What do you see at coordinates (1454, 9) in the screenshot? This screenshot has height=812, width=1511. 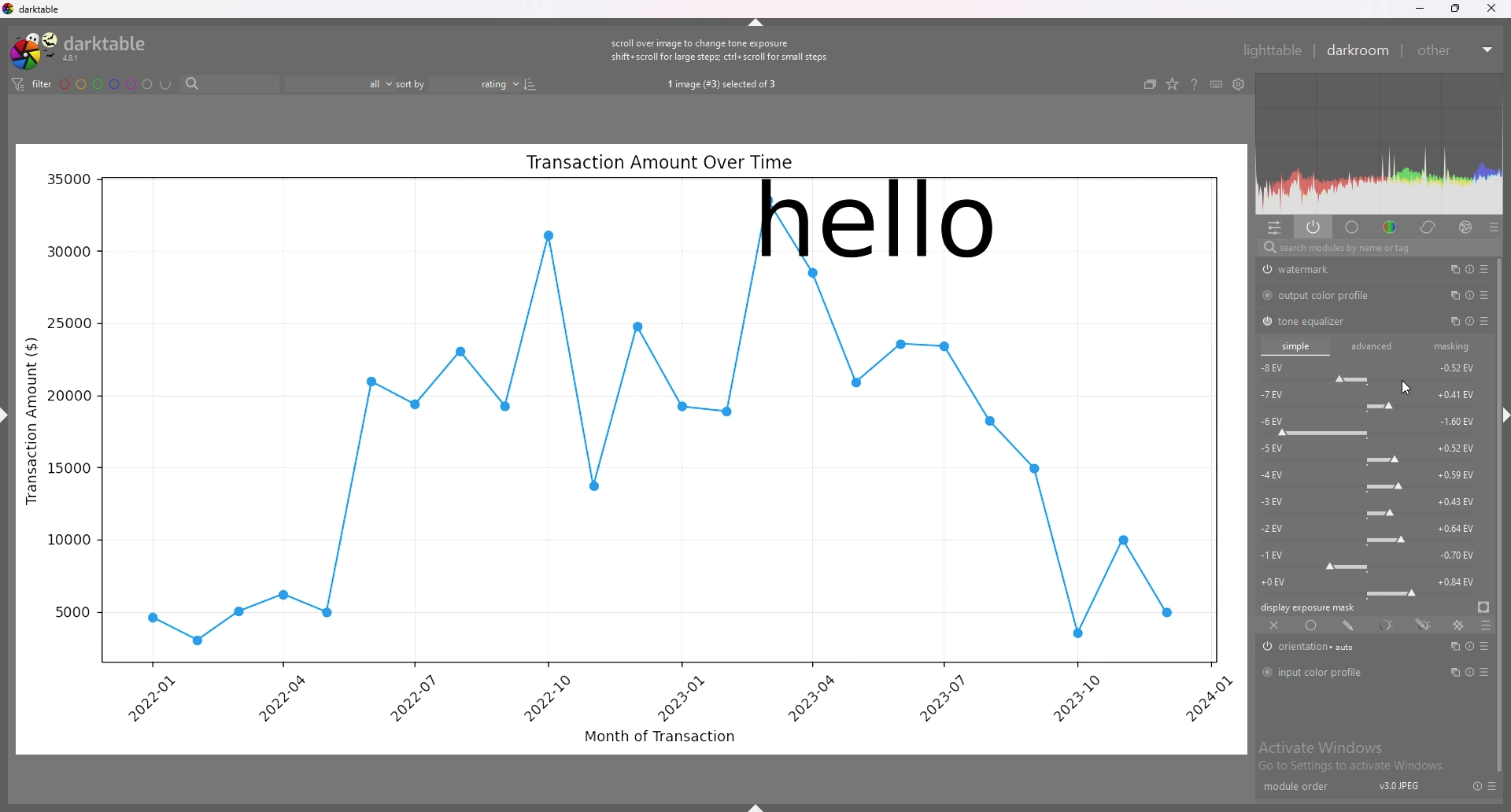 I see `resize` at bounding box center [1454, 9].